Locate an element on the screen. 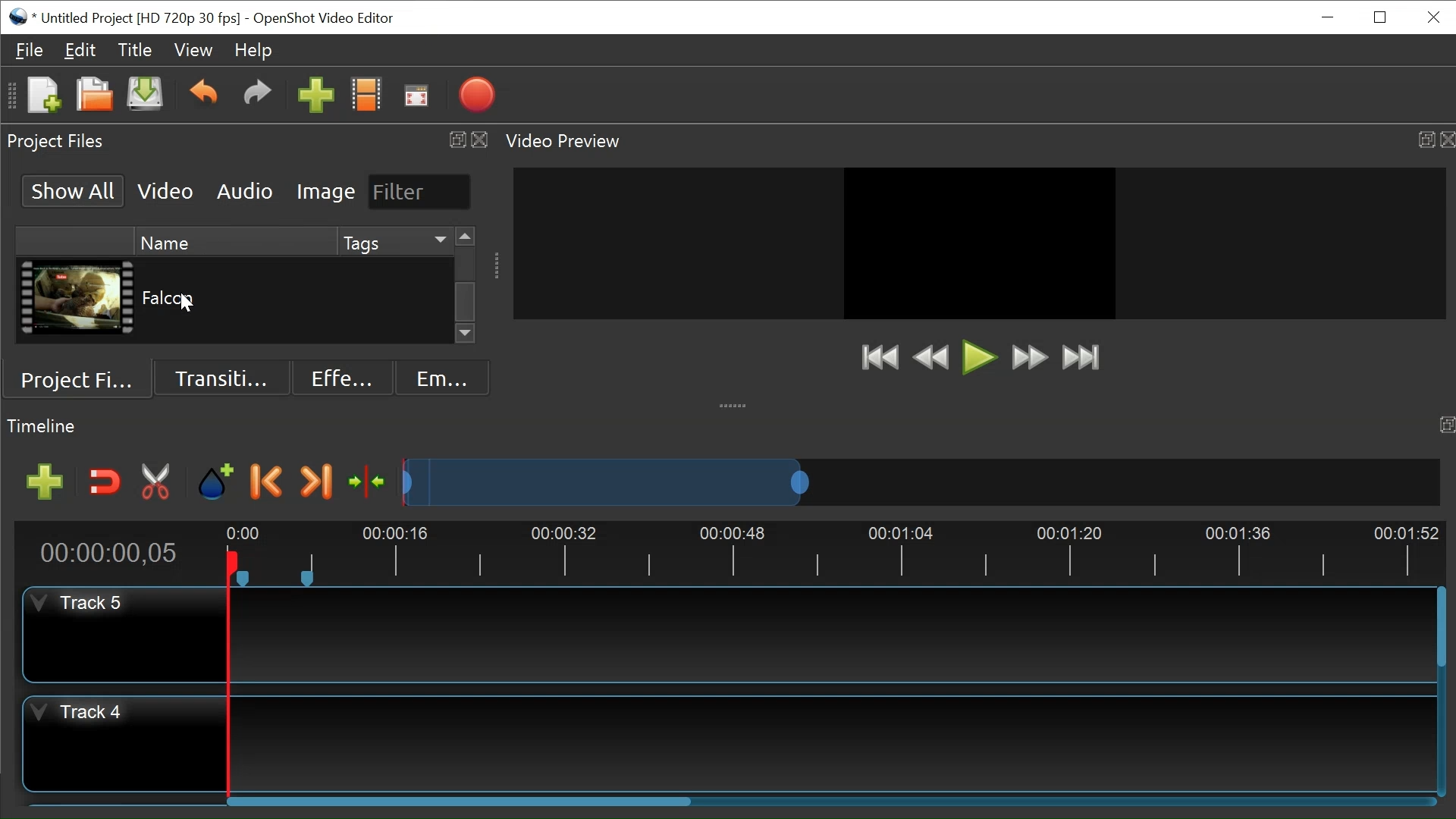  Track Panel is located at coordinates (831, 633).